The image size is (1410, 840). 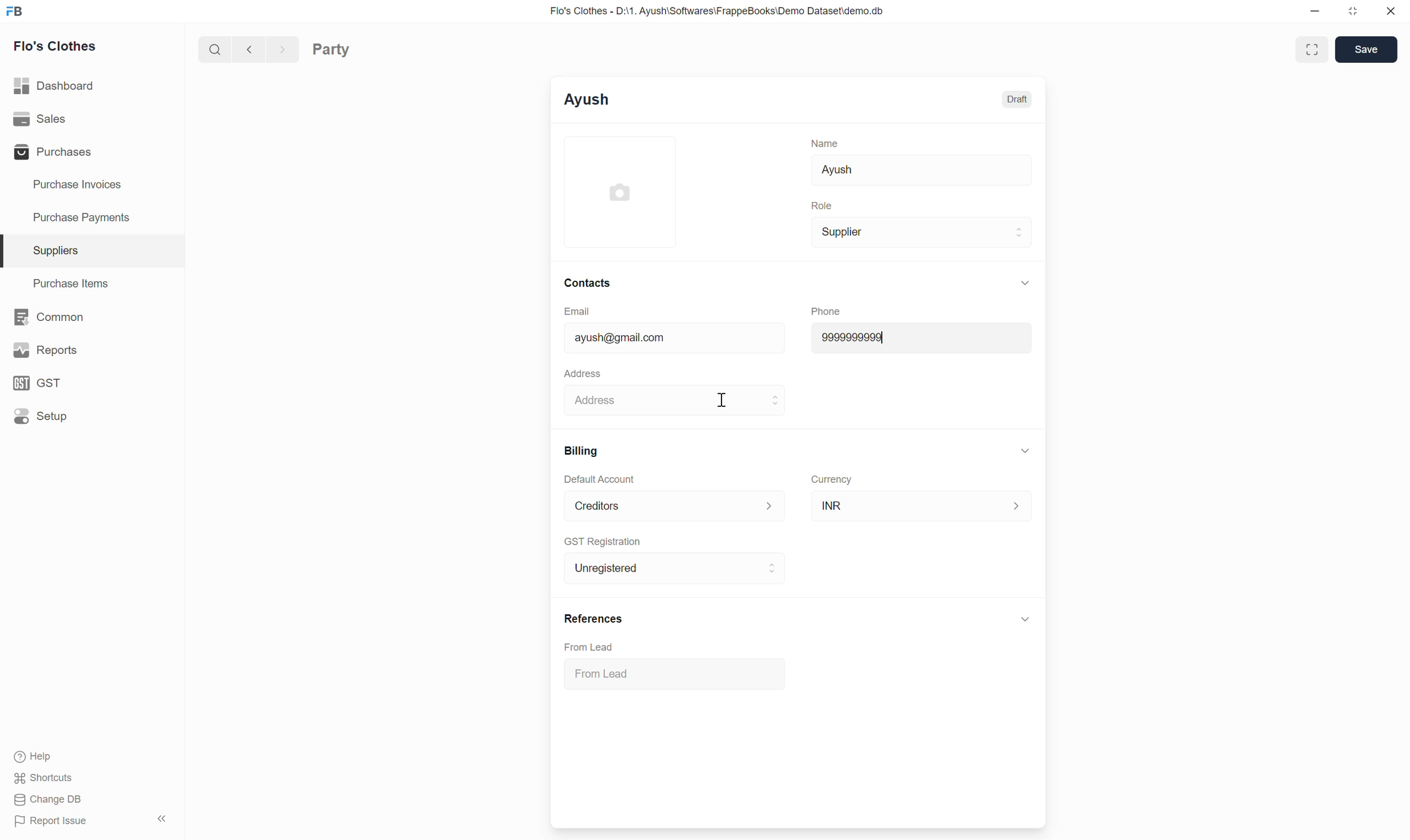 I want to click on Change dimension, so click(x=1353, y=11).